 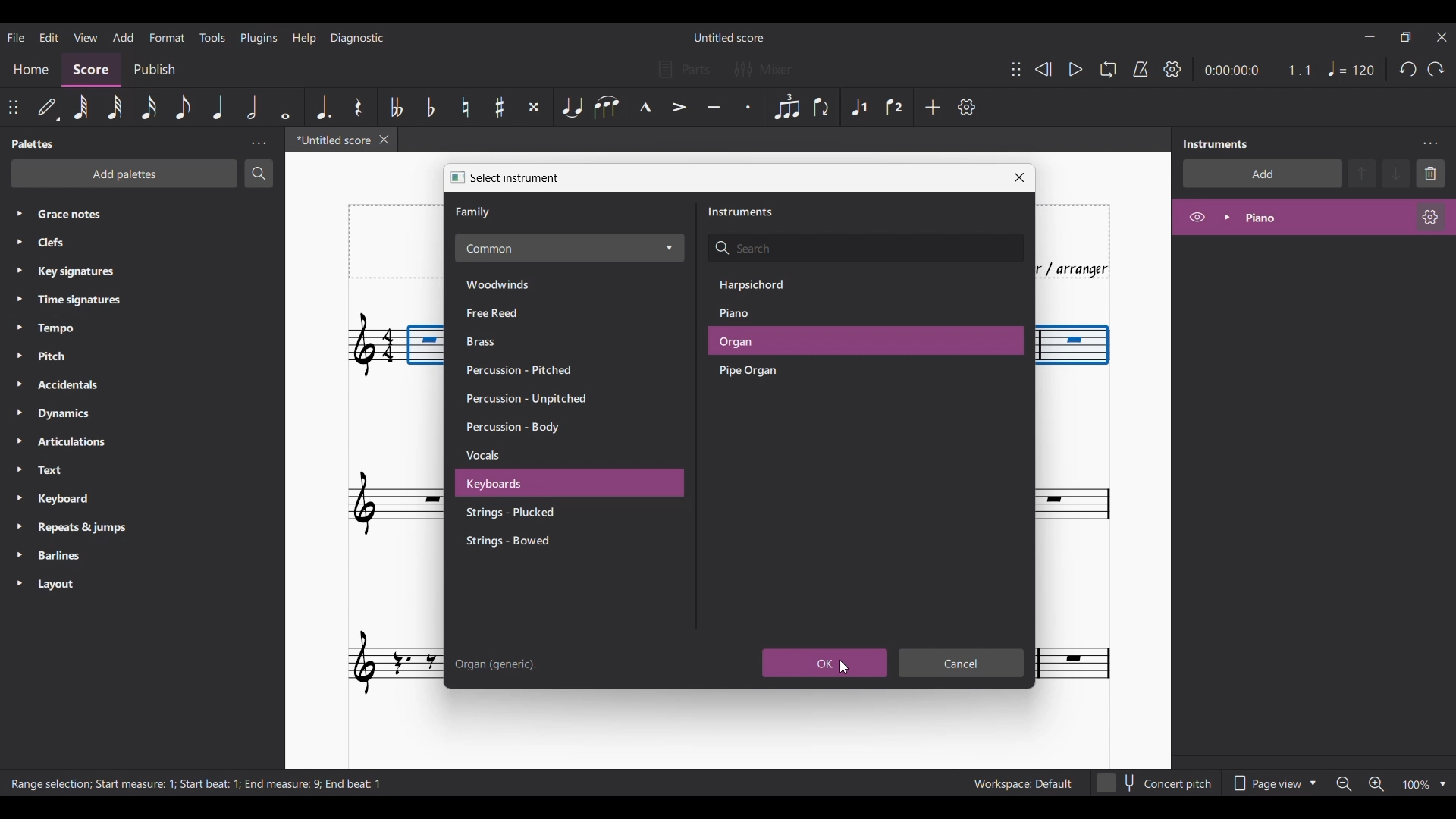 I want to click on 32nd note, so click(x=113, y=107).